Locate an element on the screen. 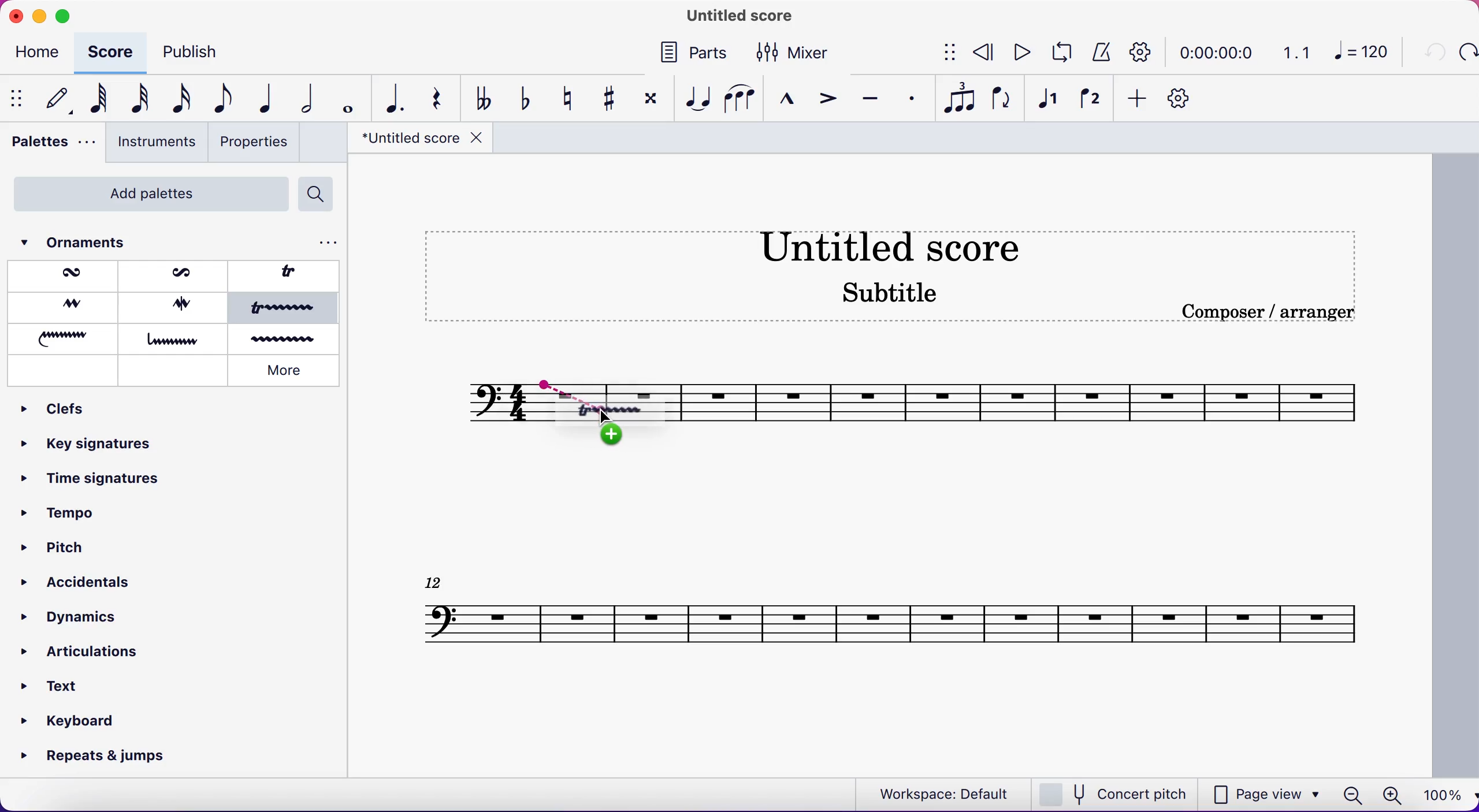  instruments is located at coordinates (155, 143).